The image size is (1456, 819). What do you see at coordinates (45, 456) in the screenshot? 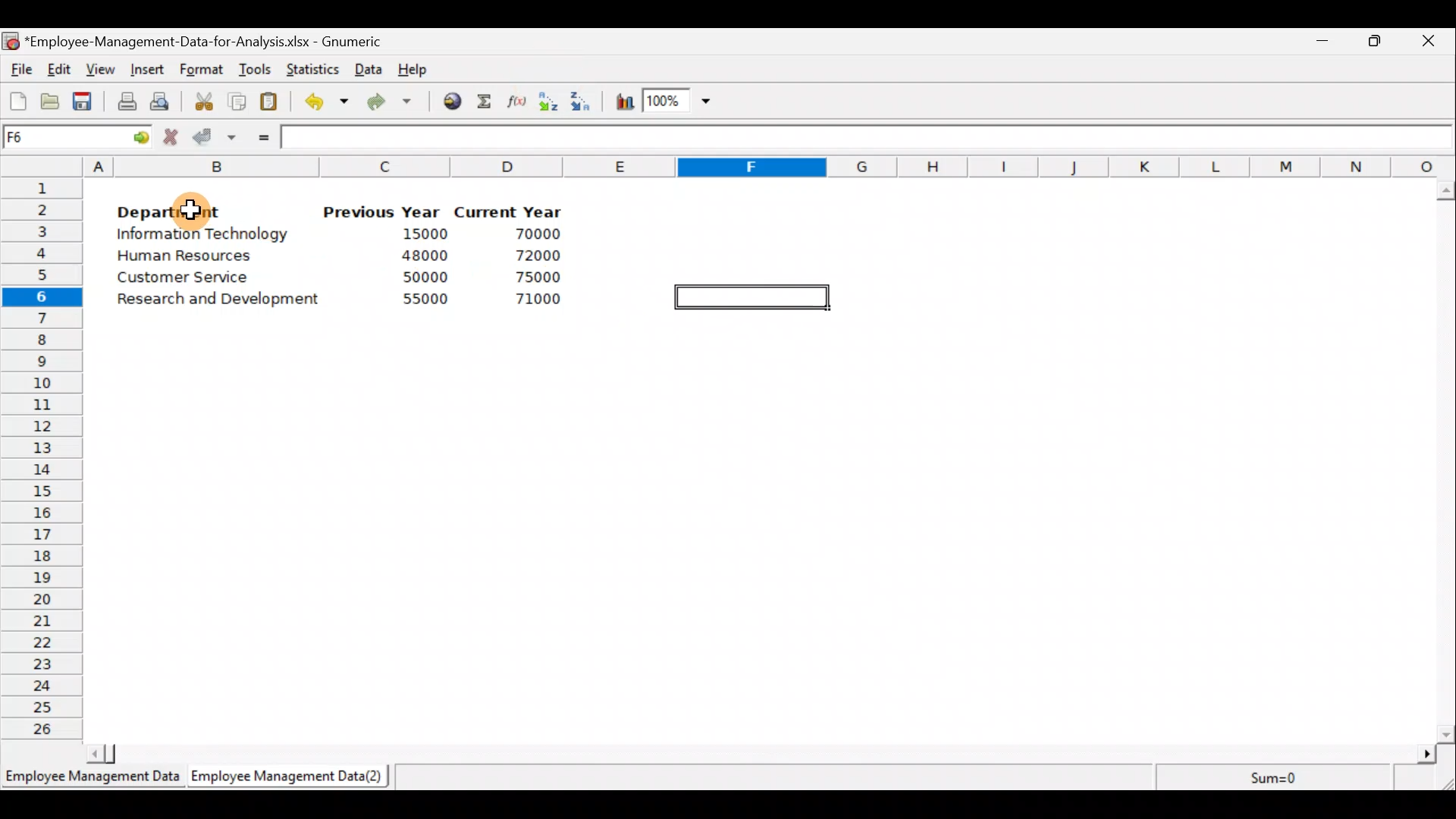
I see `Rows` at bounding box center [45, 456].